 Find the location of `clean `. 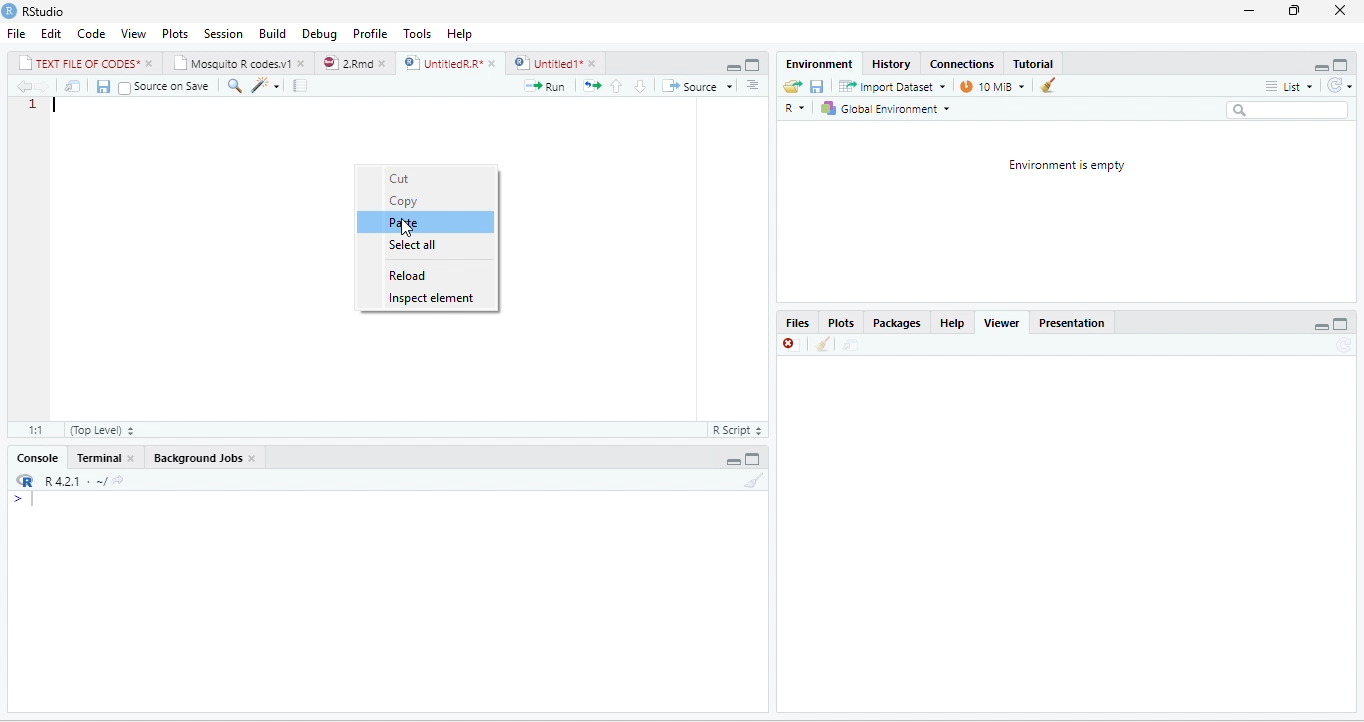

clean  is located at coordinates (823, 346).